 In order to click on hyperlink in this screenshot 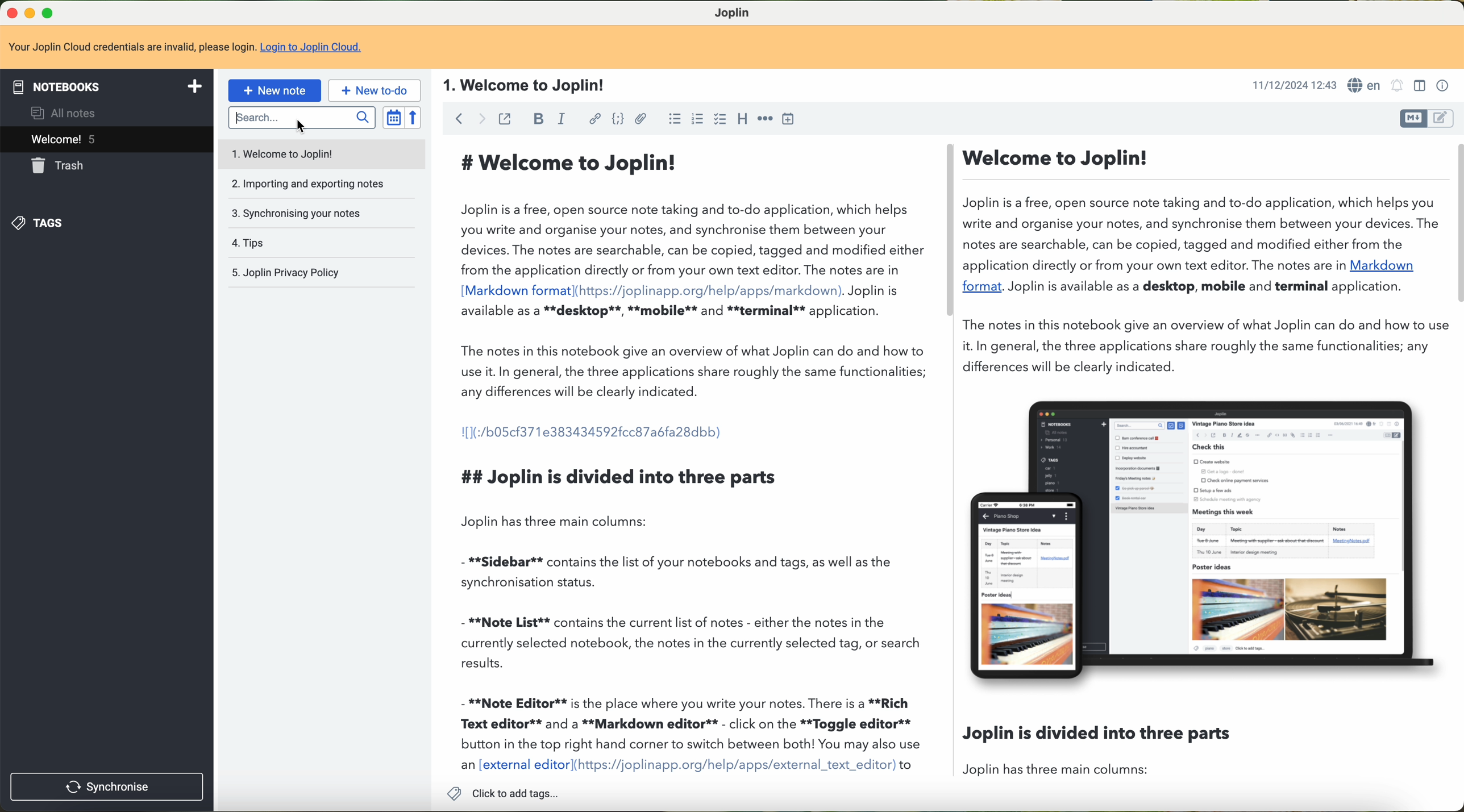, I will do `click(593, 120)`.